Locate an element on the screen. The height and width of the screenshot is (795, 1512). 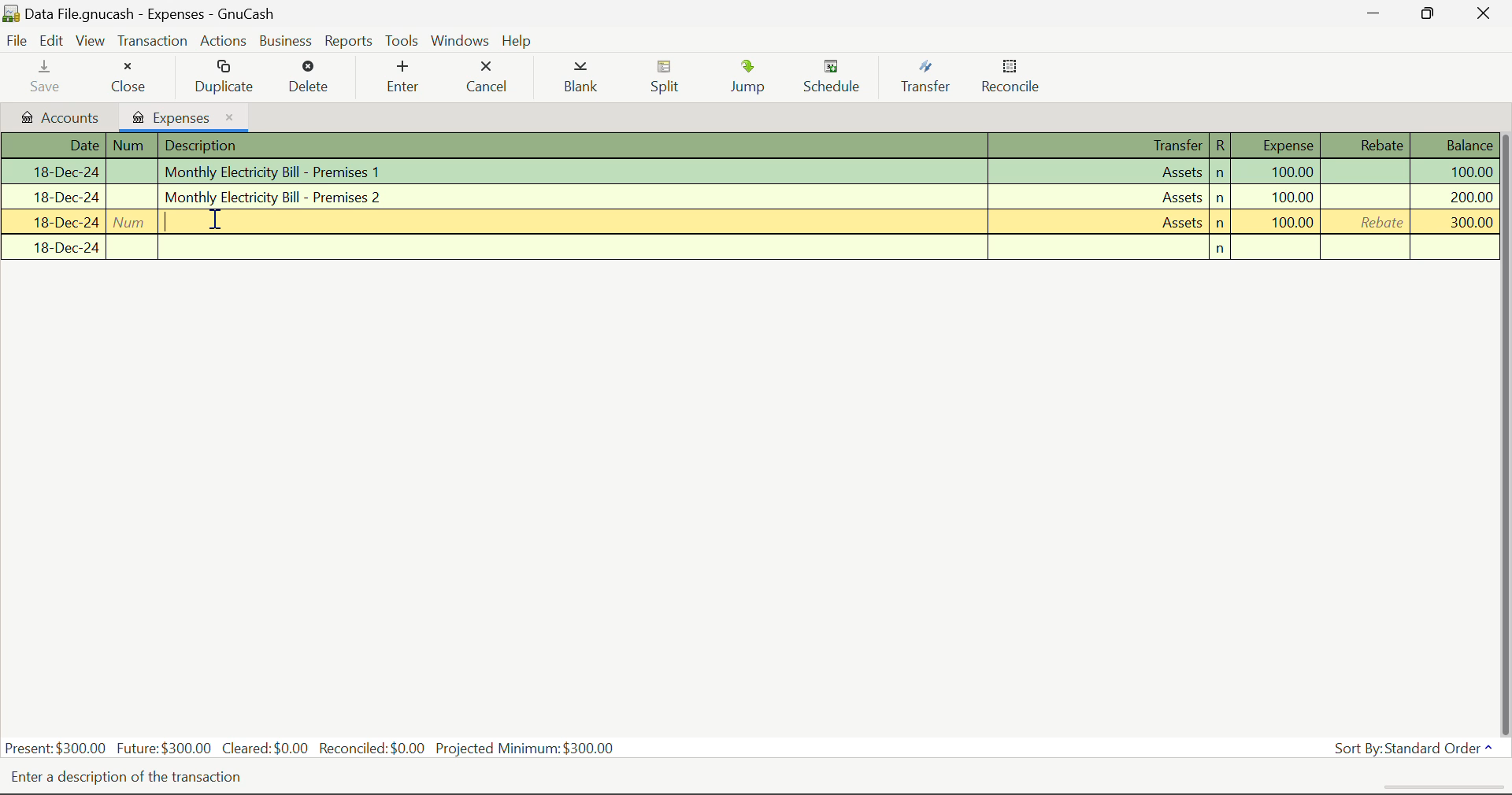
Transaction with no Comments is located at coordinates (757, 221).